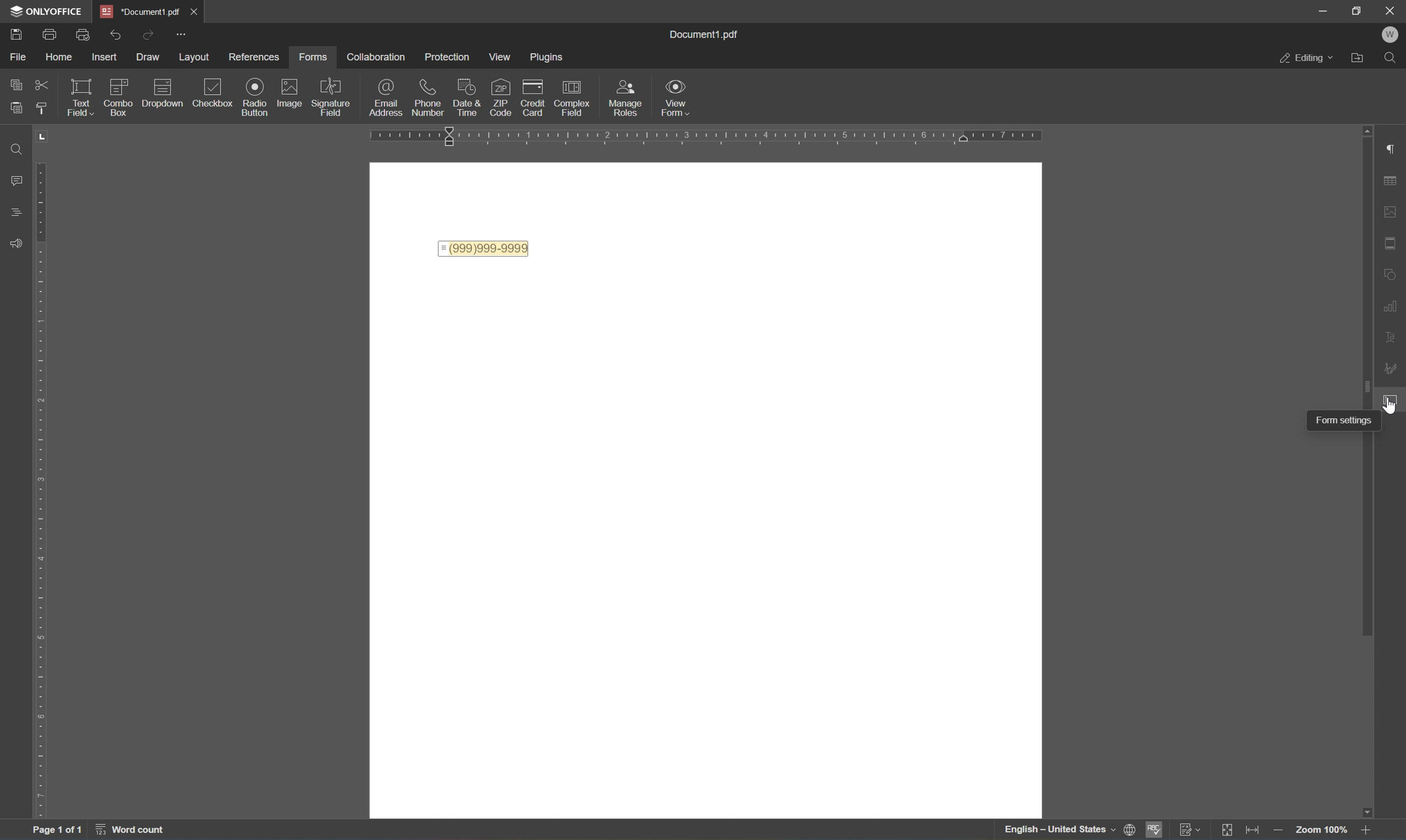 Image resolution: width=1406 pixels, height=840 pixels. I want to click on shape settings, so click(1393, 271).